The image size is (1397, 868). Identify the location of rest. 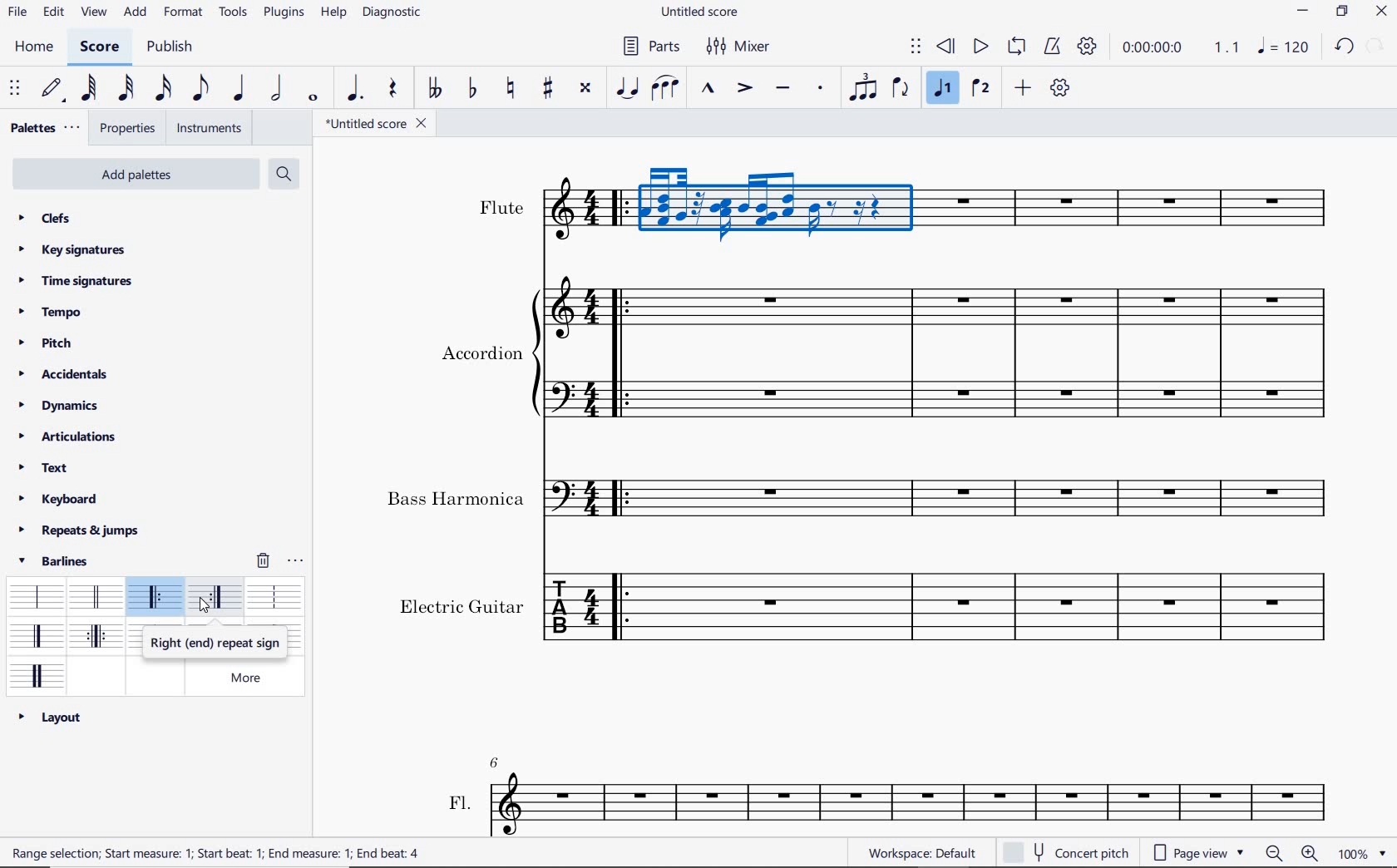
(391, 88).